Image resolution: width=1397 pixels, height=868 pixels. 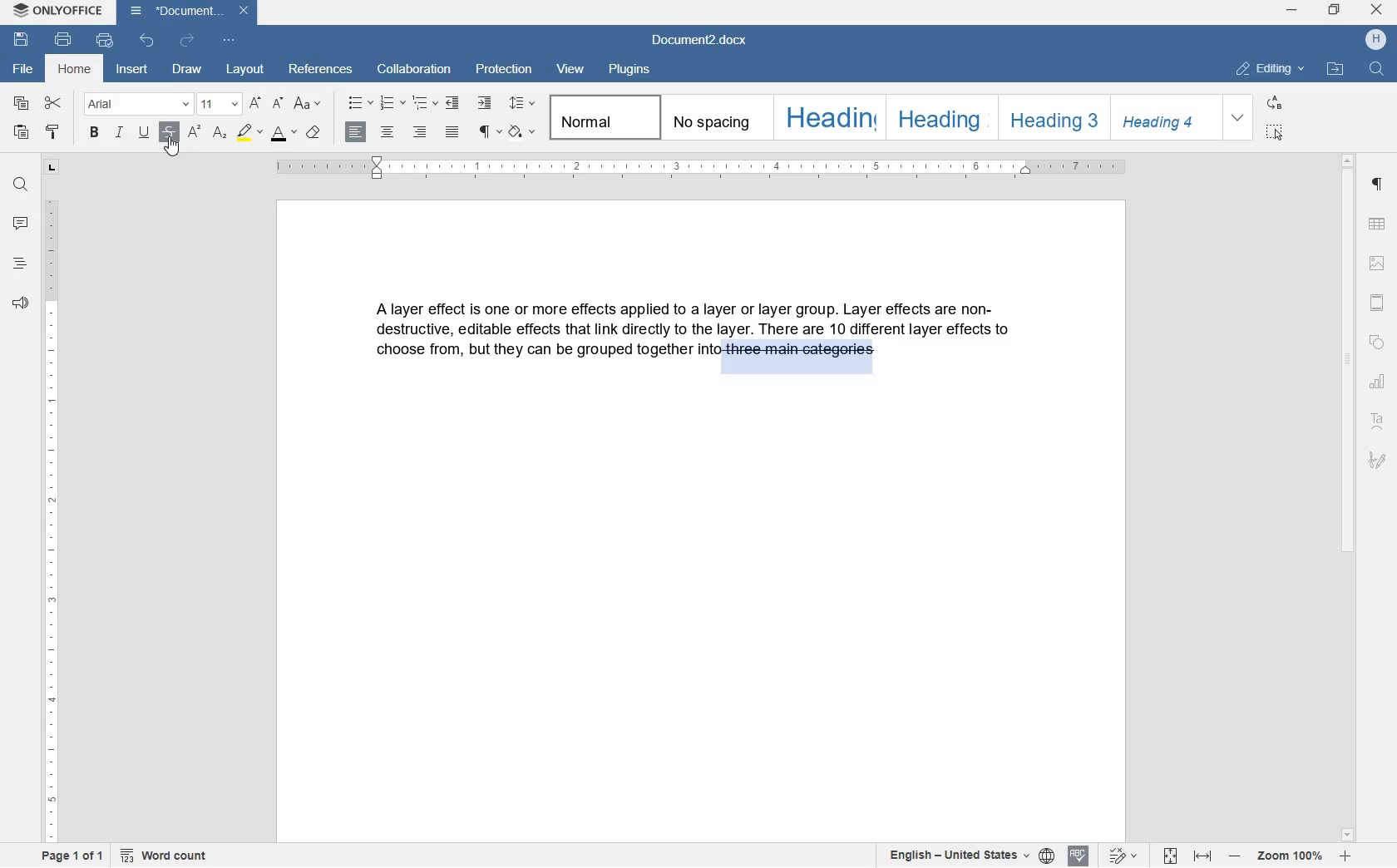 I want to click on signature, so click(x=1378, y=461).